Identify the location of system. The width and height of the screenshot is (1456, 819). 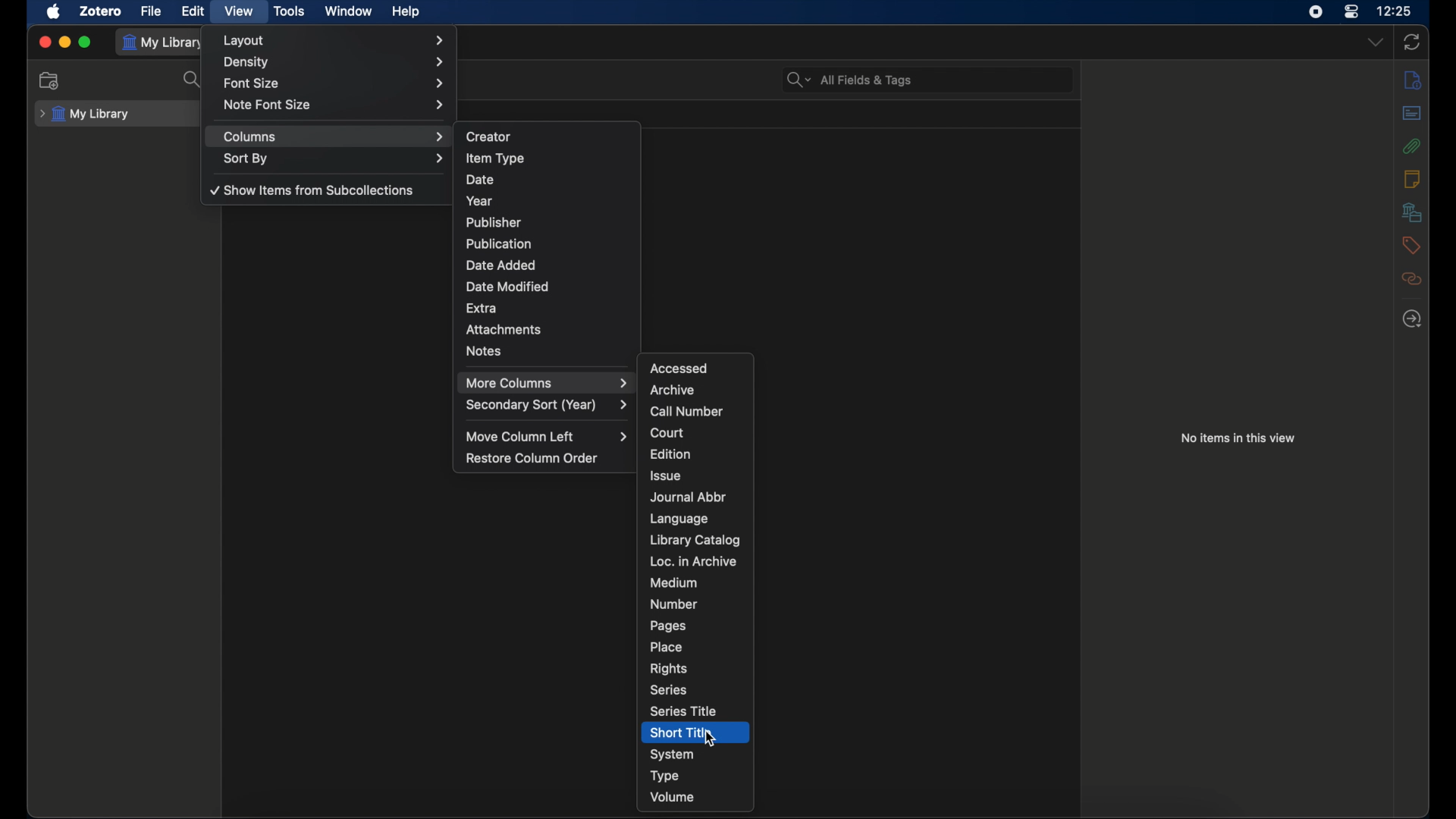
(673, 755).